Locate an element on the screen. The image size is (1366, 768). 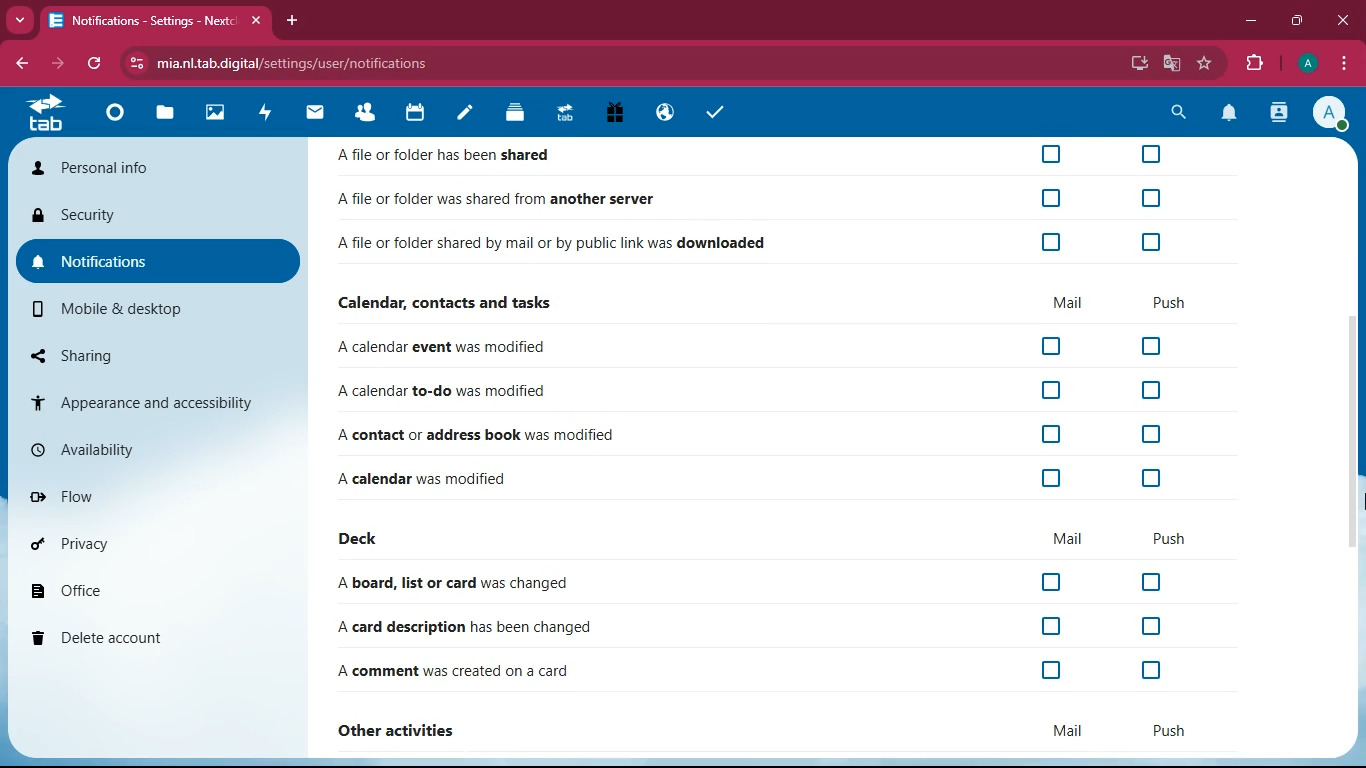
add tab is located at coordinates (293, 20).